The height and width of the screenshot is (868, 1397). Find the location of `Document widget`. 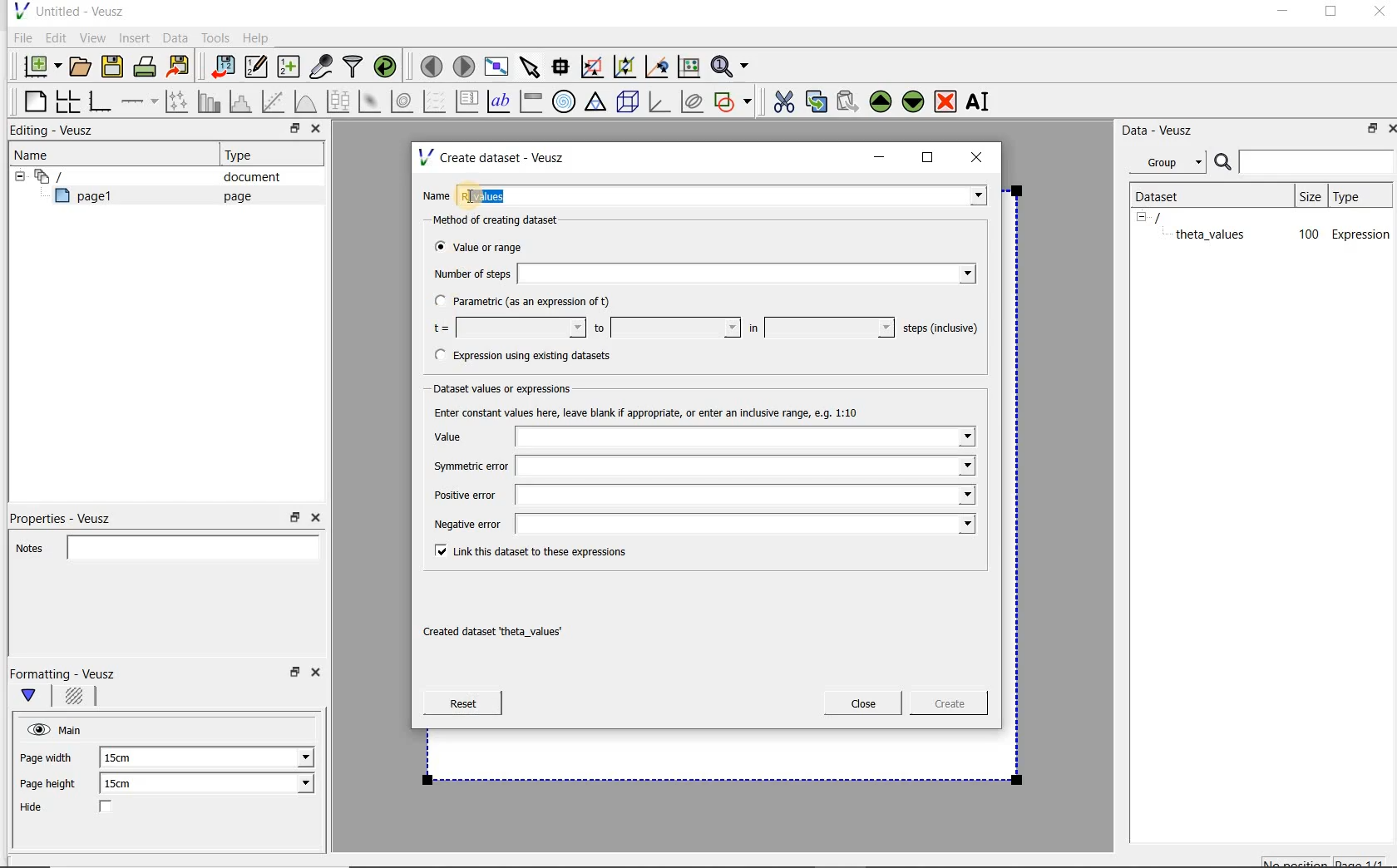

Document widget is located at coordinates (78, 176).